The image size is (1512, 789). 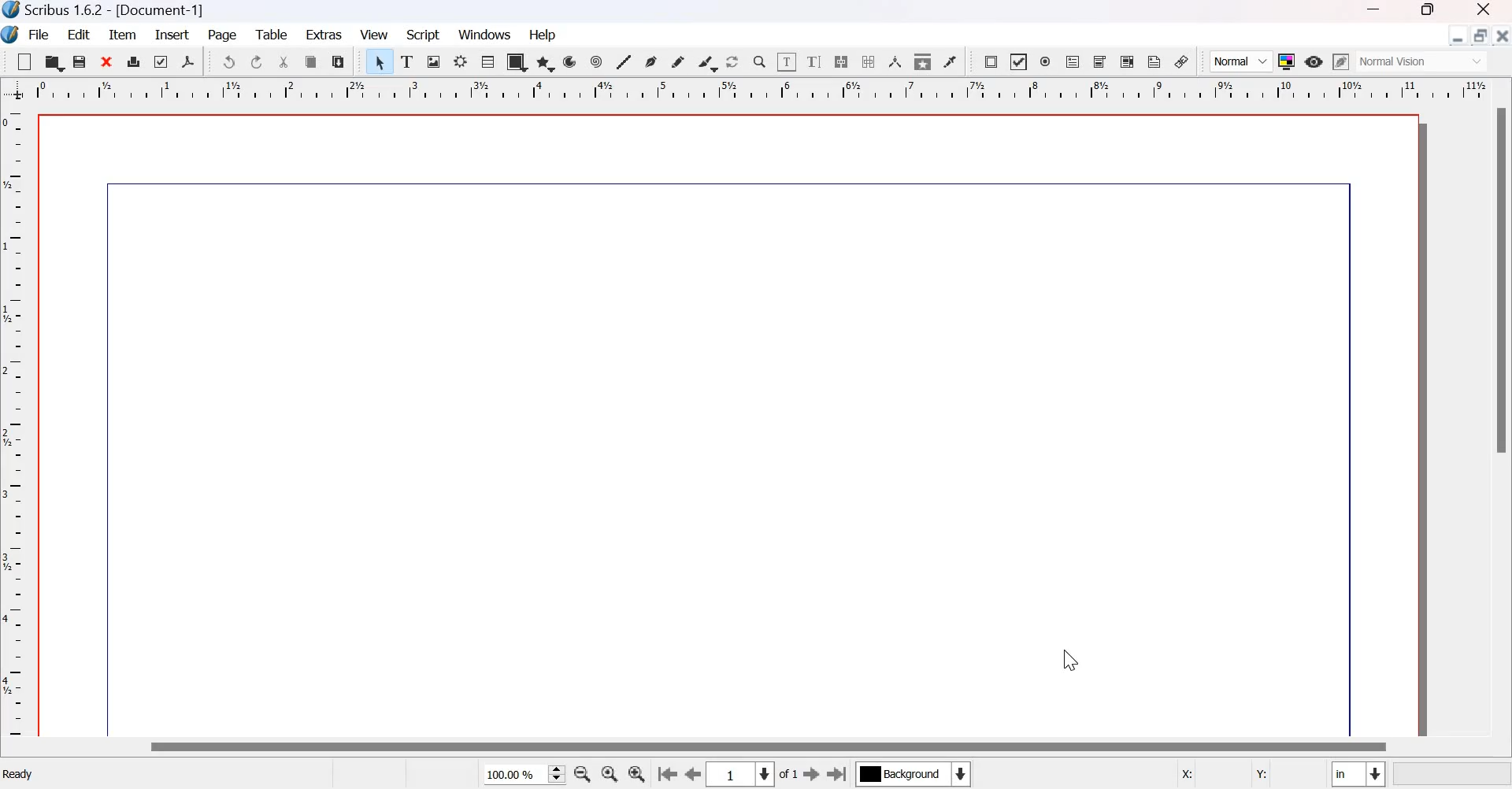 What do you see at coordinates (324, 33) in the screenshot?
I see `extras` at bounding box center [324, 33].